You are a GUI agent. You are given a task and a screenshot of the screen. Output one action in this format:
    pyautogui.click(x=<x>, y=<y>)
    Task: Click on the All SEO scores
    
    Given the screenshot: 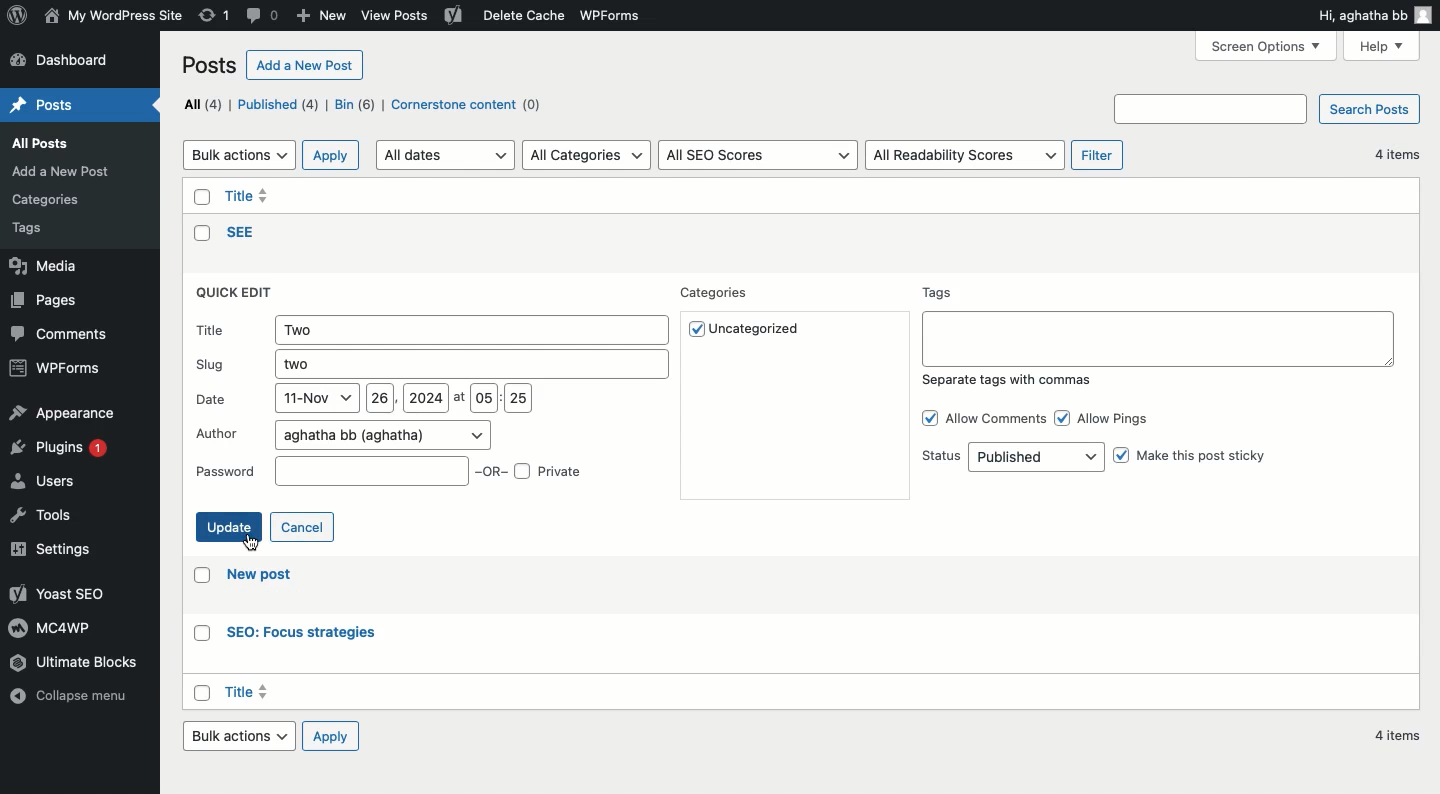 What is the action you would take?
    pyautogui.click(x=758, y=155)
    